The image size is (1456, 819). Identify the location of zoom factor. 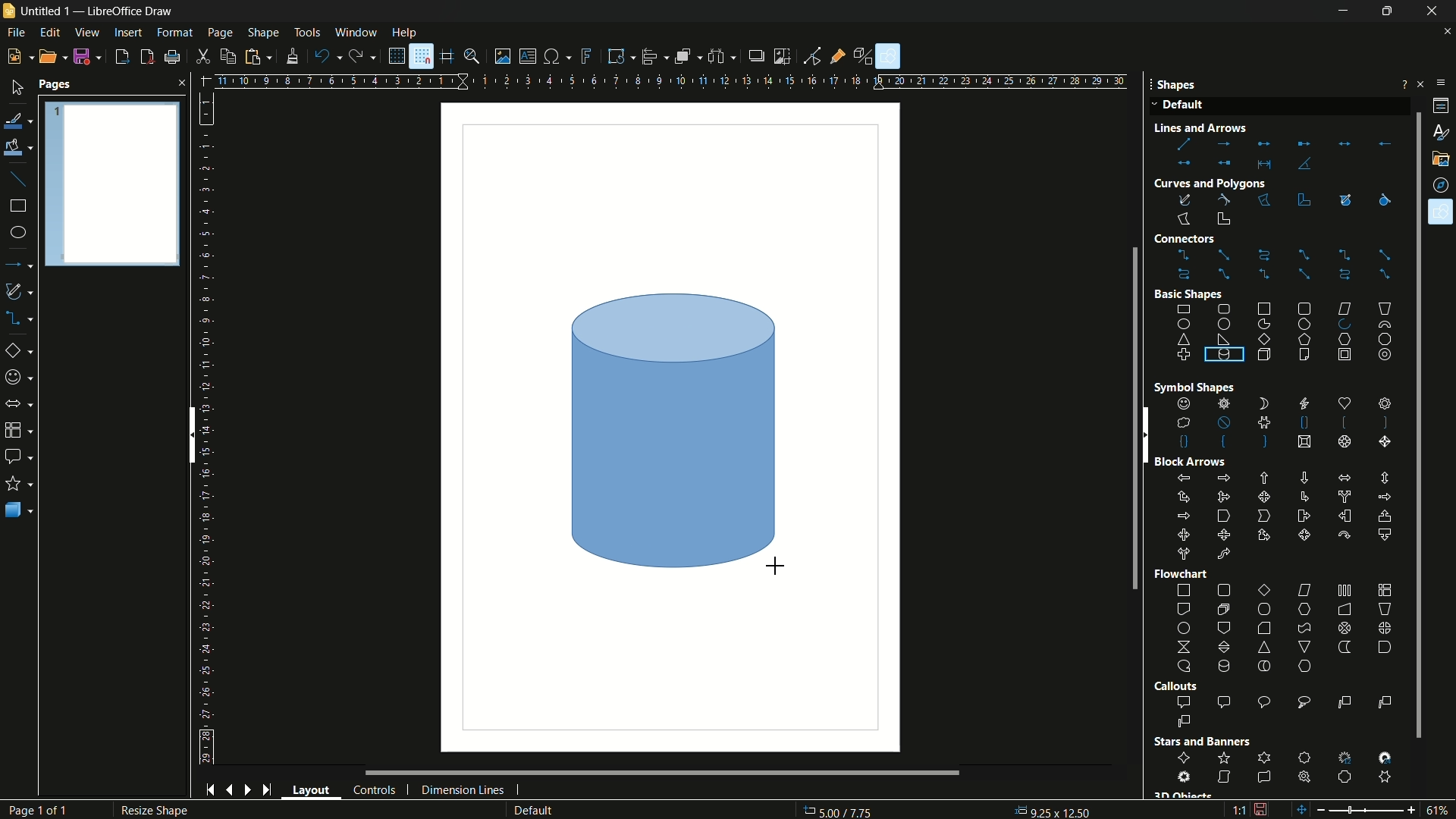
(1441, 810).